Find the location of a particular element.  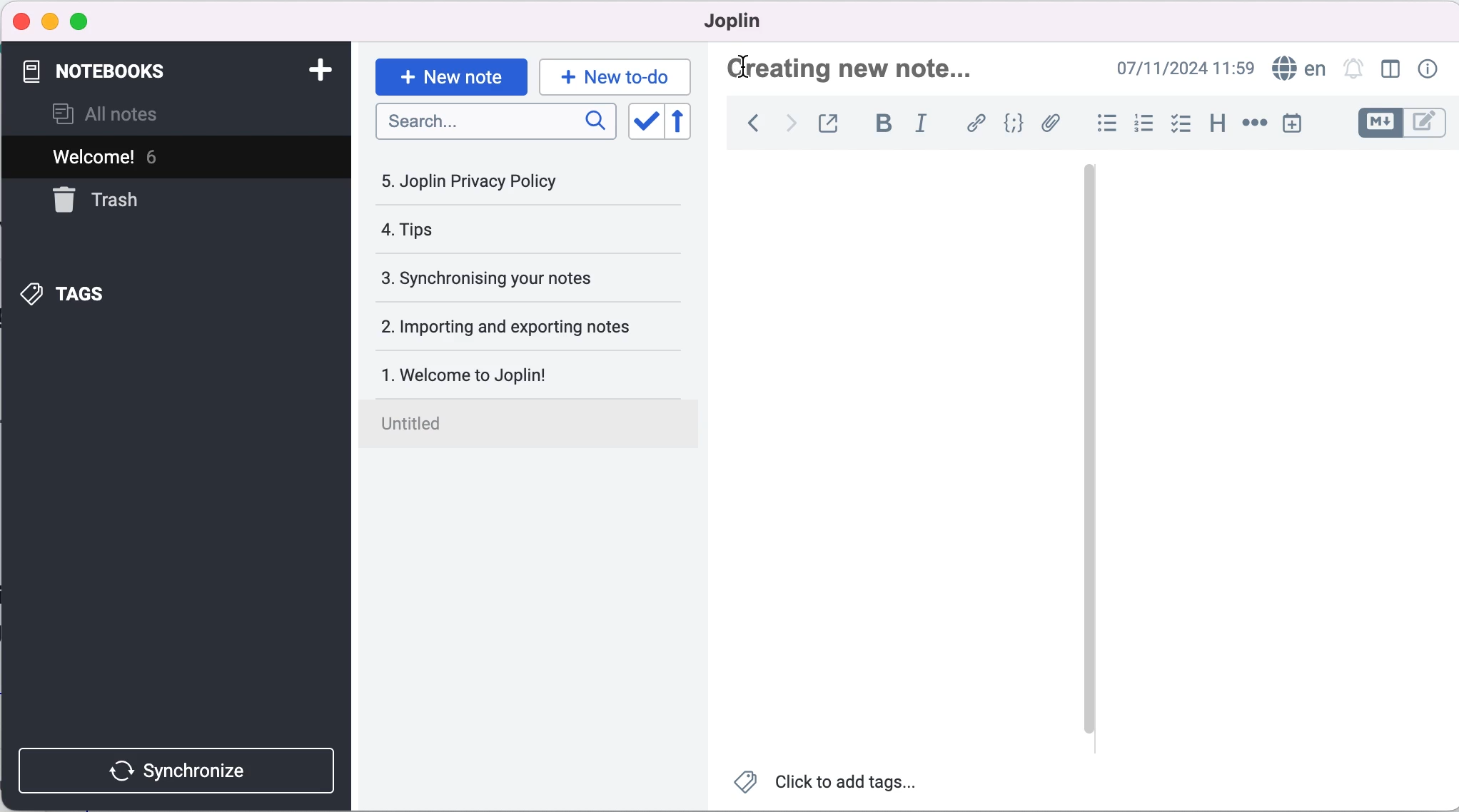

07/11/2024 09:03 is located at coordinates (1171, 69).